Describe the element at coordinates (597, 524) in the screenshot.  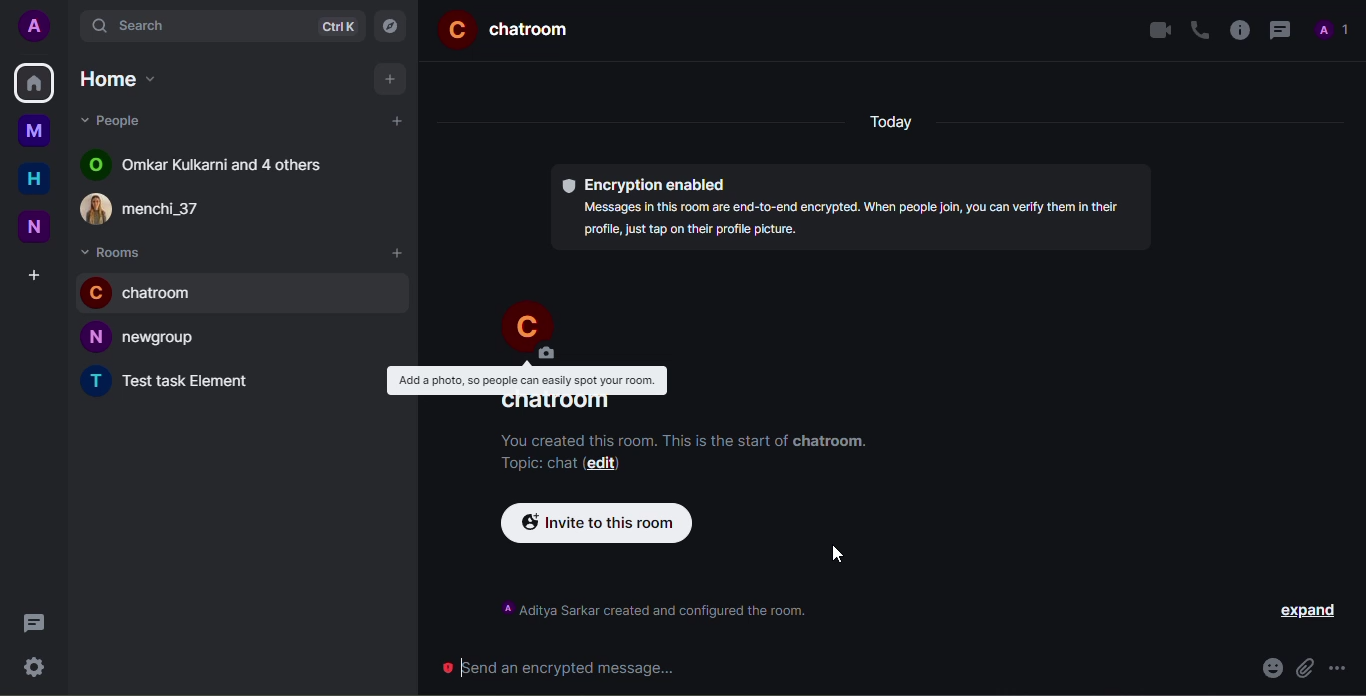
I see `invite to this room` at that location.